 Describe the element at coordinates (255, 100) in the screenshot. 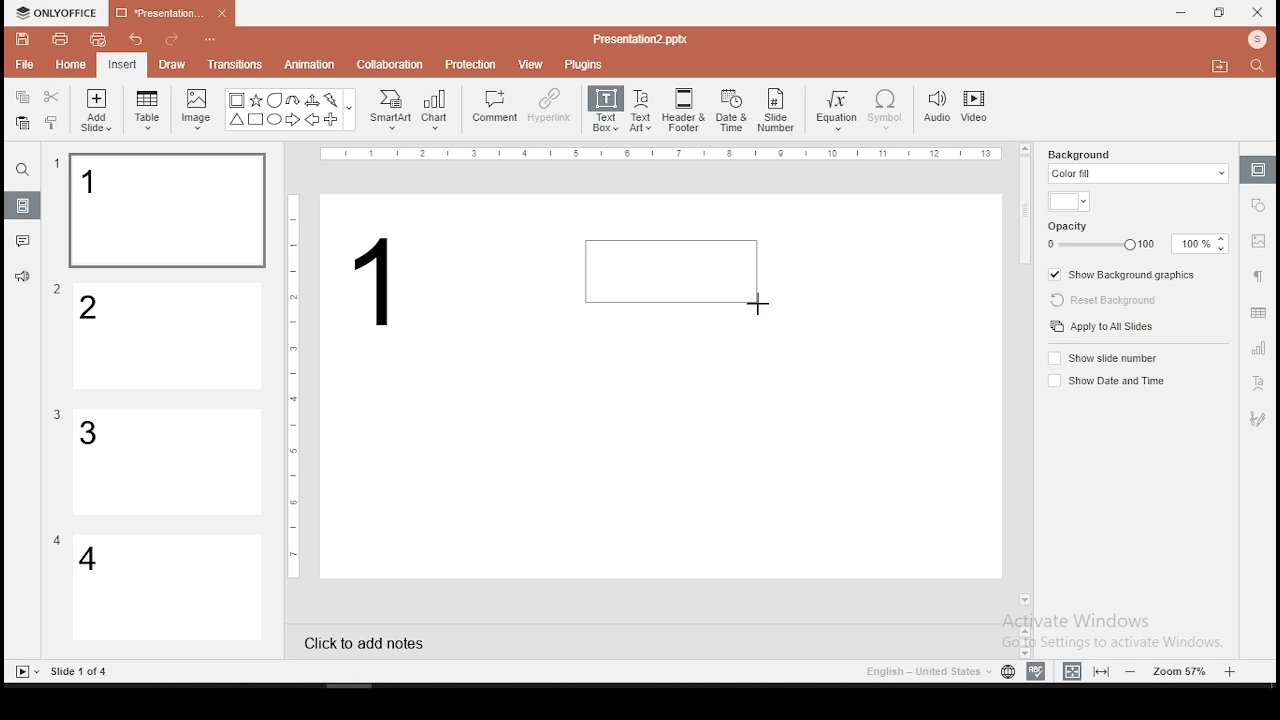

I see `Star` at that location.